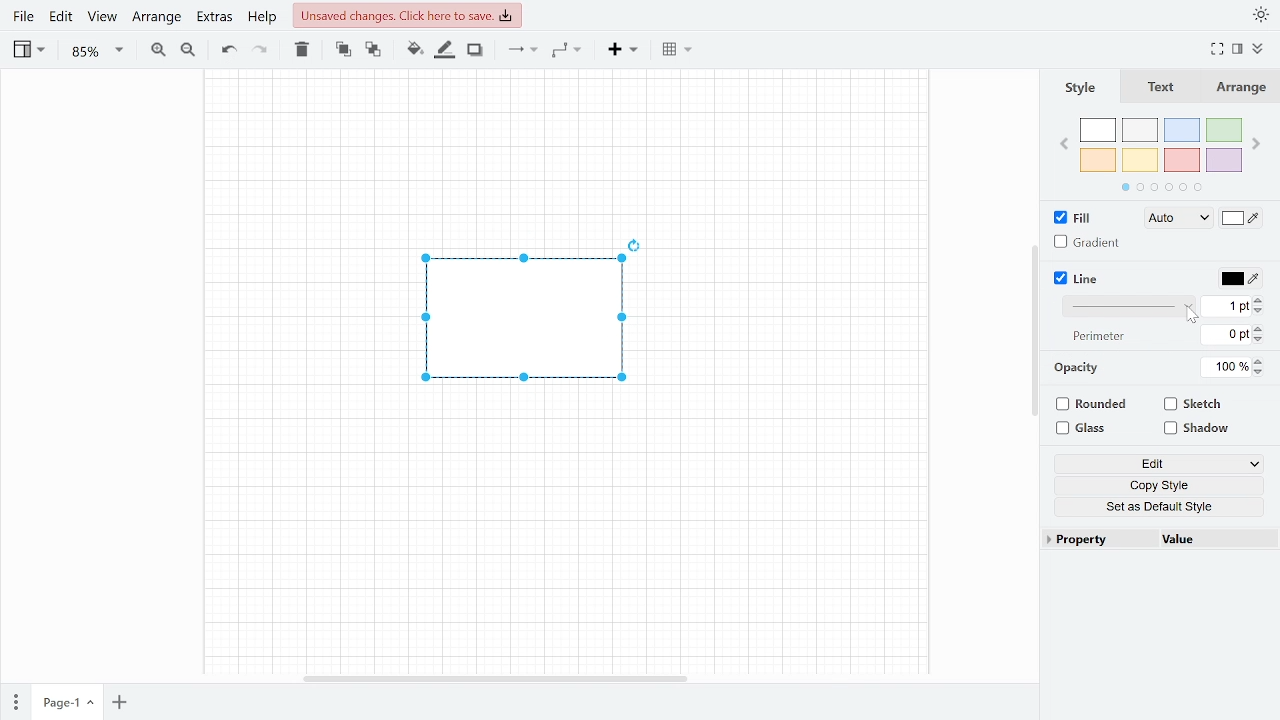  Describe the element at coordinates (446, 50) in the screenshot. I see `Fill line` at that location.